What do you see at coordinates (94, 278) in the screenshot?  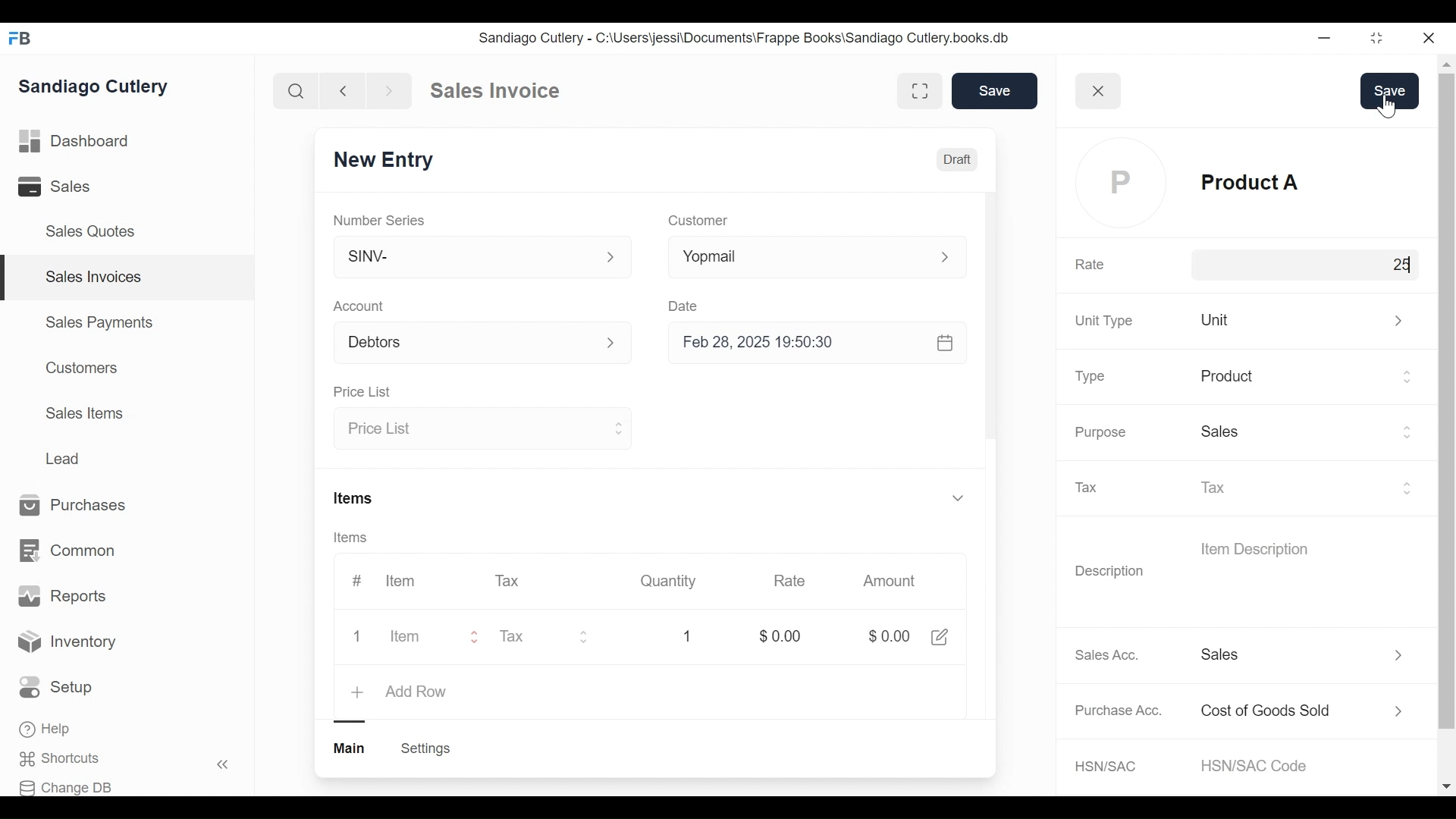 I see `Sales Invoices` at bounding box center [94, 278].